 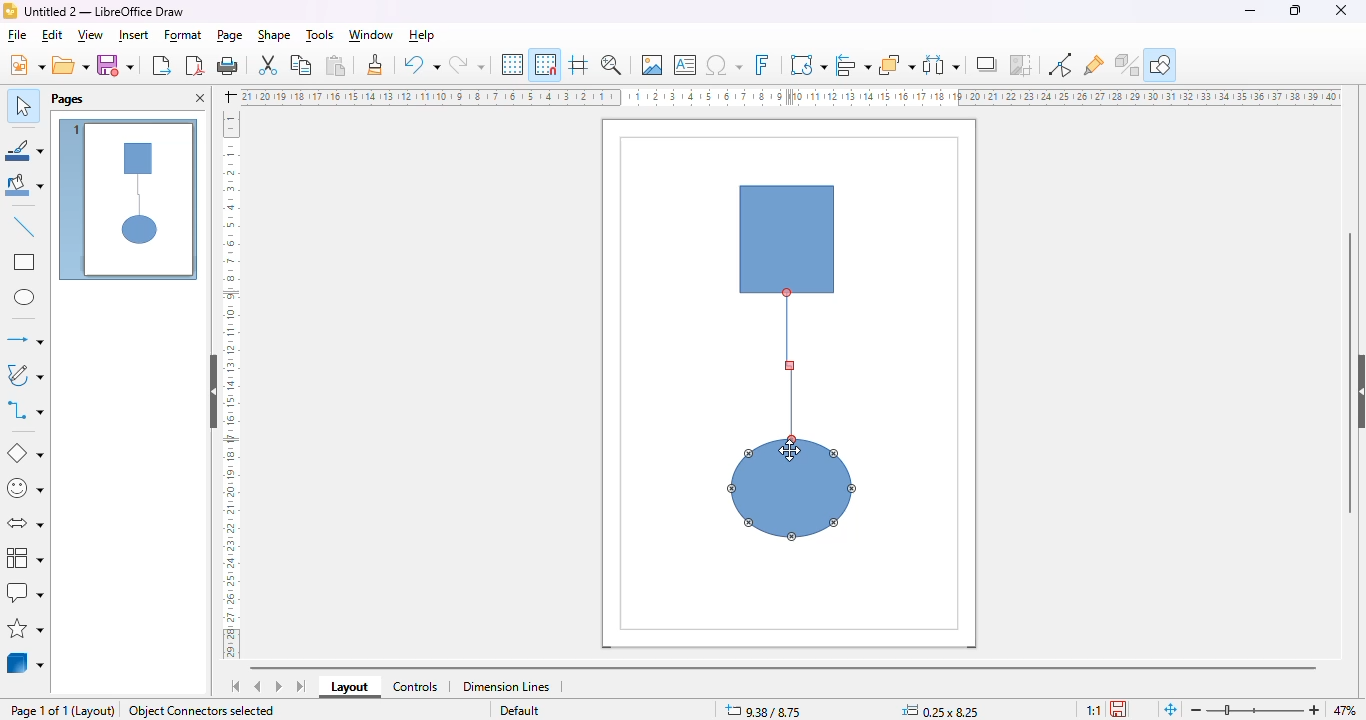 What do you see at coordinates (1250, 11) in the screenshot?
I see `minimize` at bounding box center [1250, 11].